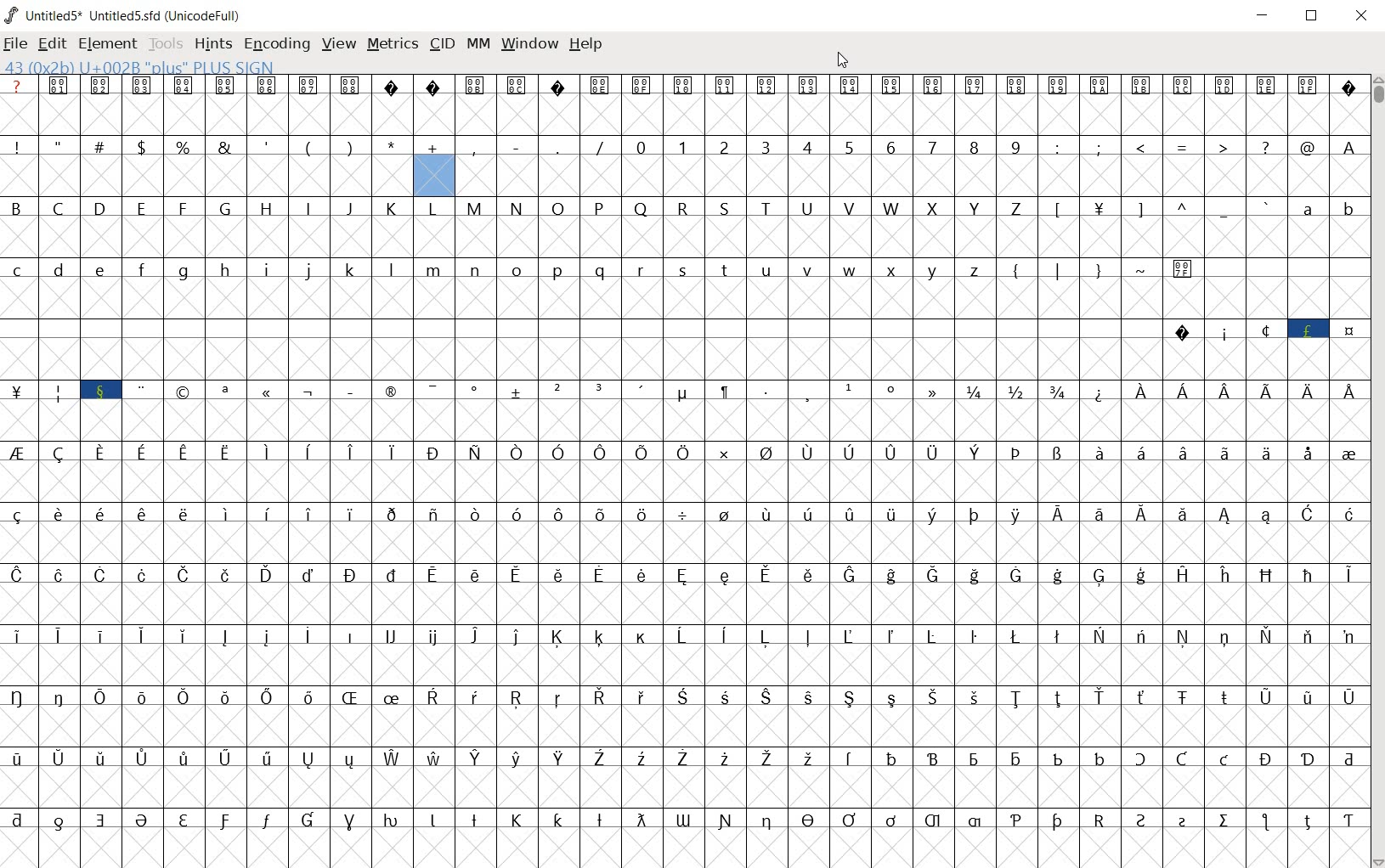 Image resolution: width=1385 pixels, height=868 pixels. I want to click on special characters, so click(541, 168).